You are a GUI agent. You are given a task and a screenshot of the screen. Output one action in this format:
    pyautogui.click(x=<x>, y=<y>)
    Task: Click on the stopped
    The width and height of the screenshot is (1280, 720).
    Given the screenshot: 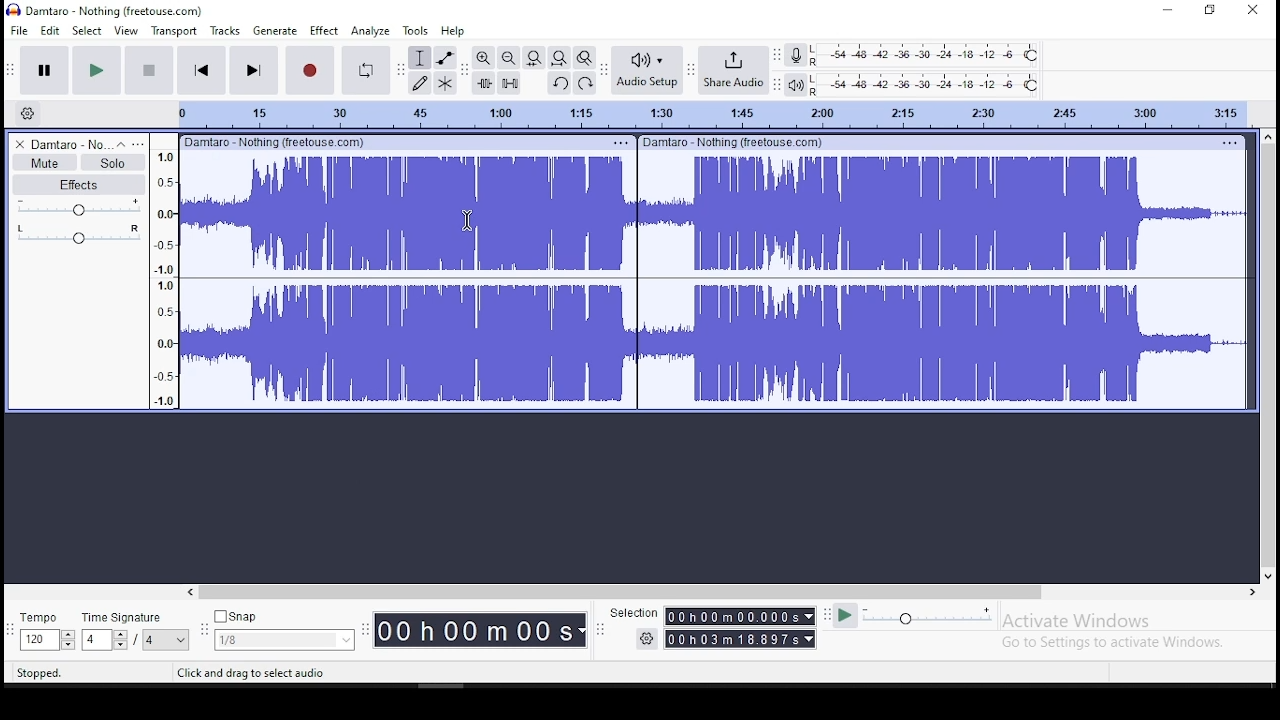 What is the action you would take?
    pyautogui.click(x=40, y=673)
    